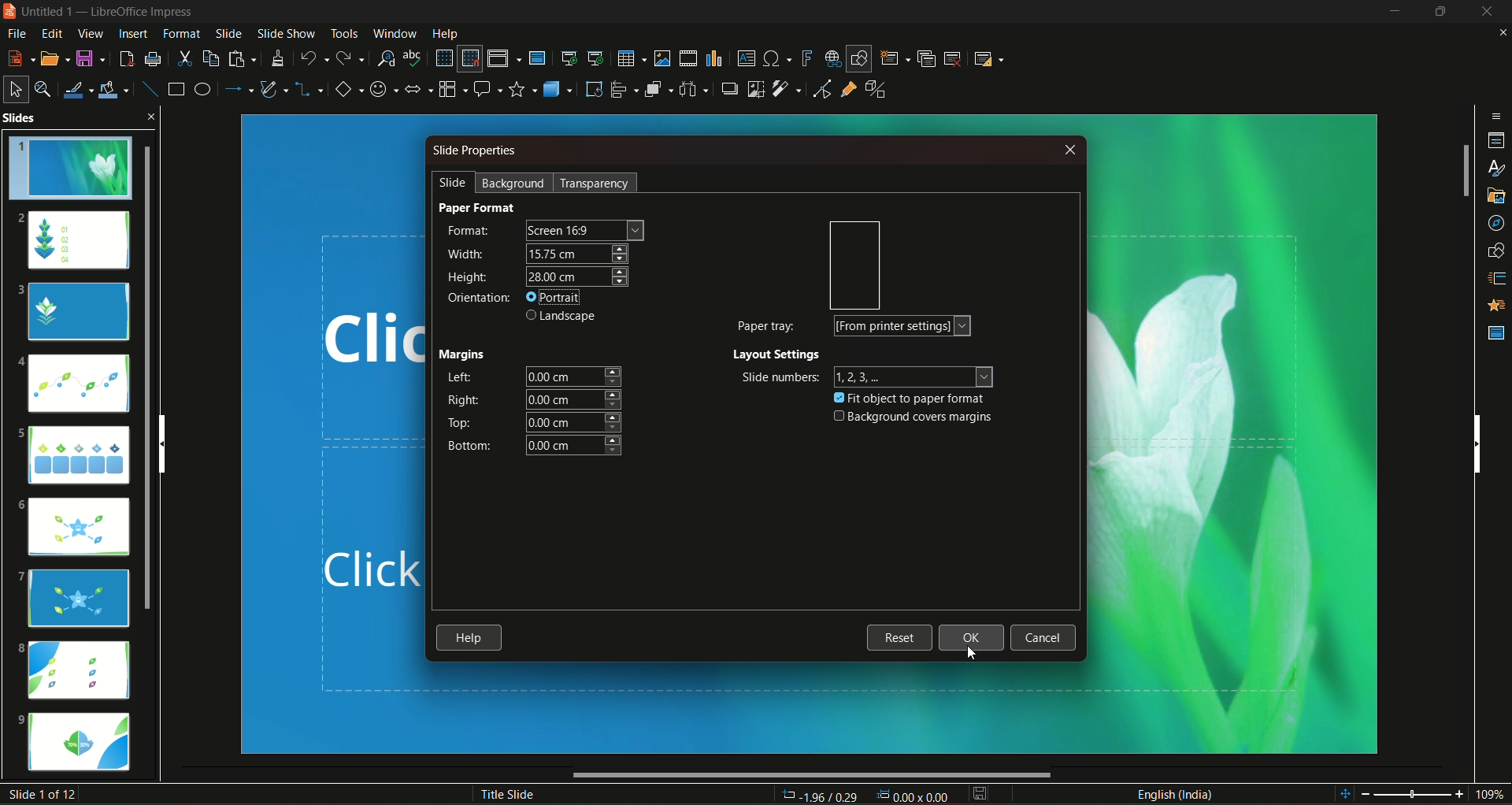  Describe the element at coordinates (50, 33) in the screenshot. I see `edit` at that location.